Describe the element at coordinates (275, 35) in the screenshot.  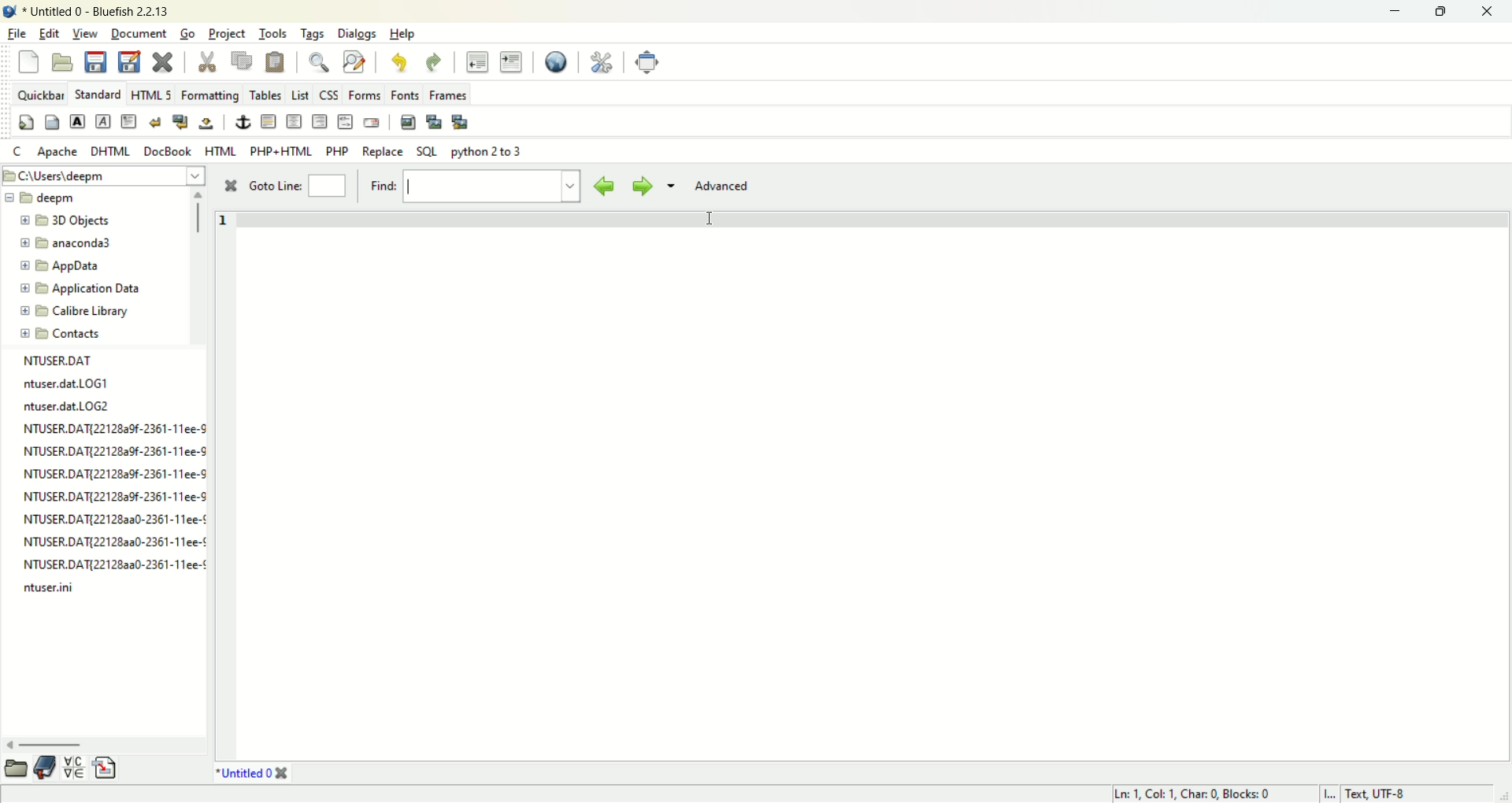
I see `tools` at that location.